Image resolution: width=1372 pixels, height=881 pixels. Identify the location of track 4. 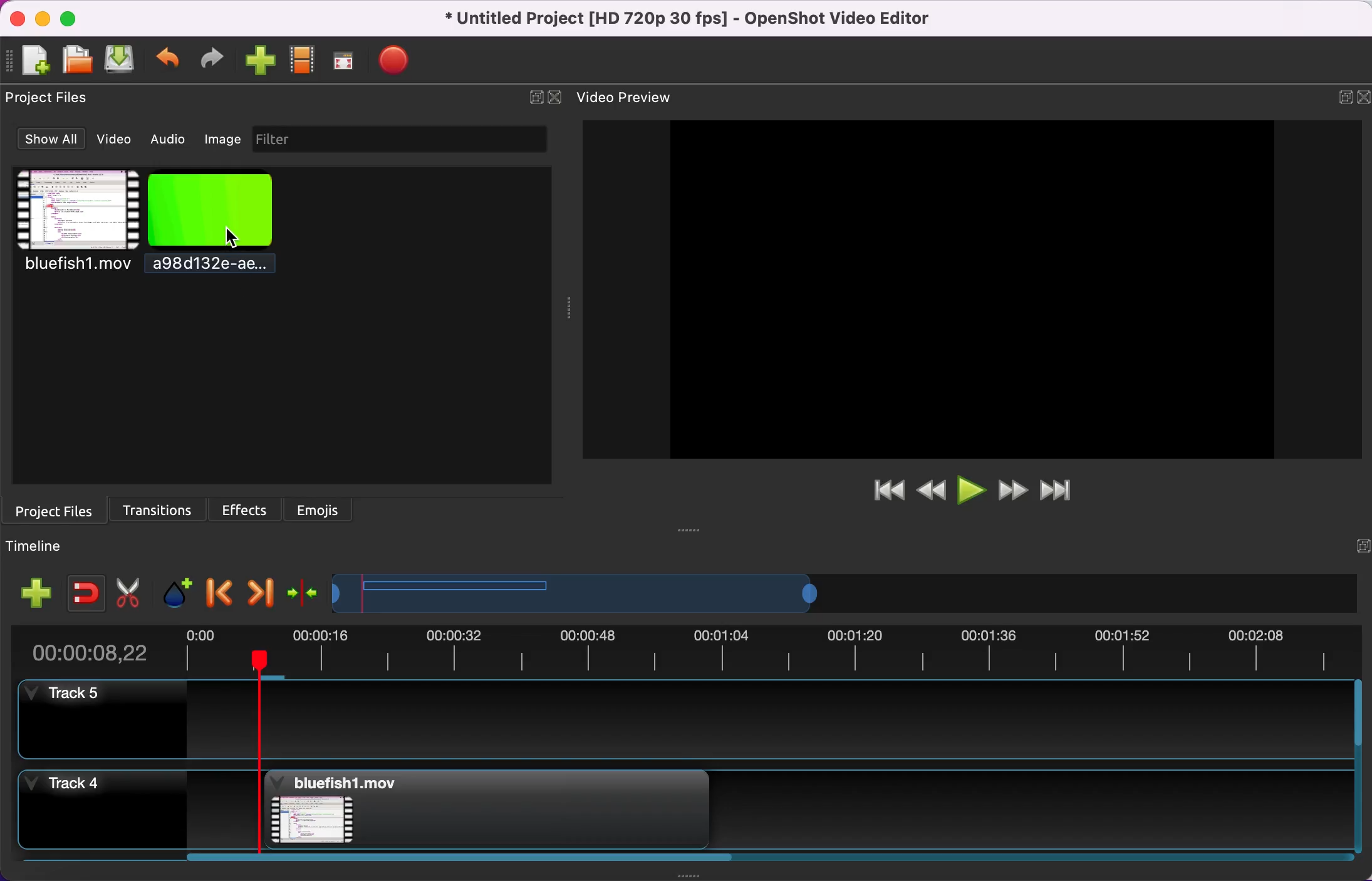
(100, 806).